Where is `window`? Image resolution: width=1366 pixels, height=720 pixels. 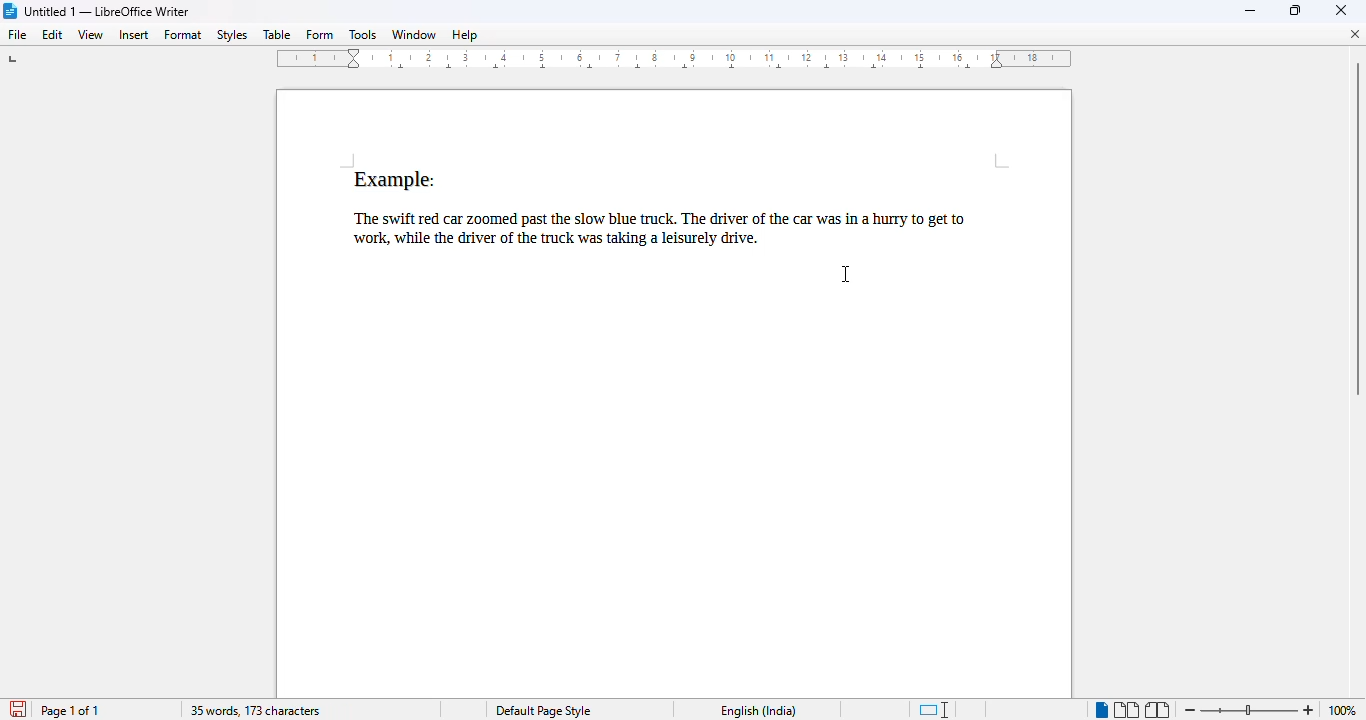 window is located at coordinates (414, 34).